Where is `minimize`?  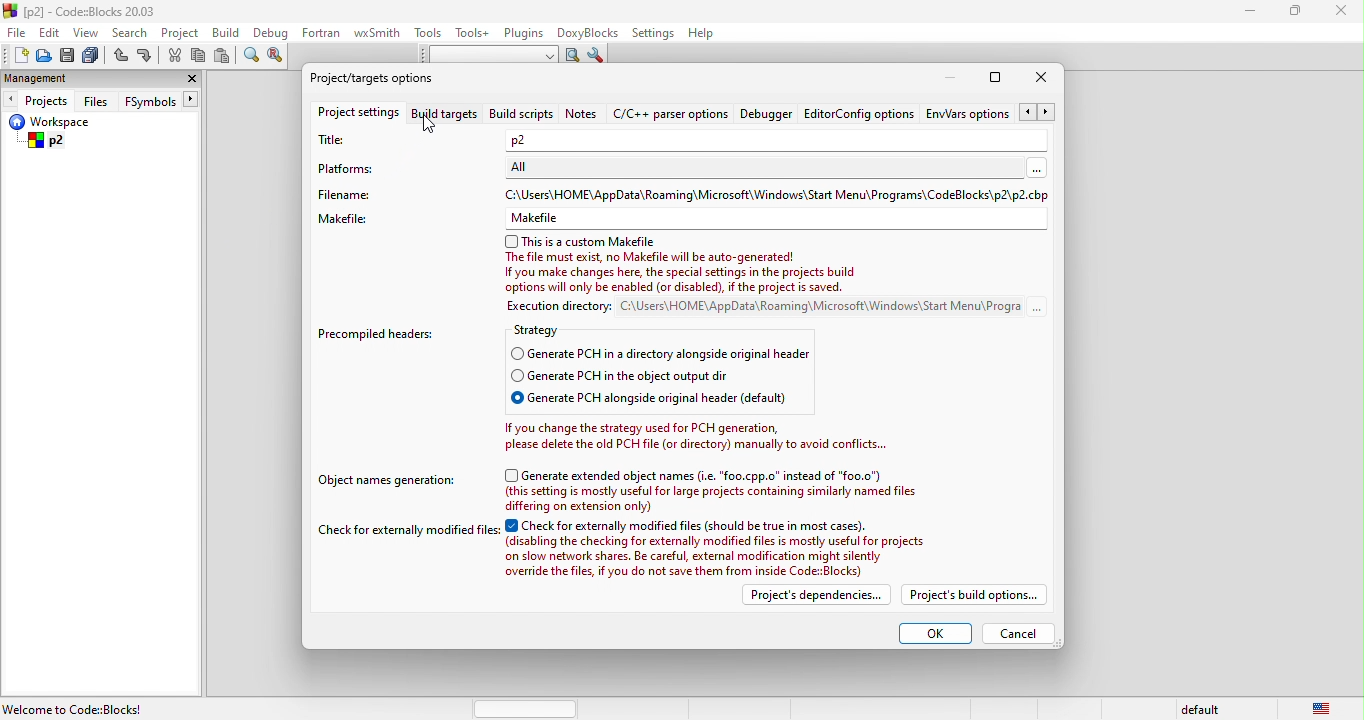
minimize is located at coordinates (950, 78).